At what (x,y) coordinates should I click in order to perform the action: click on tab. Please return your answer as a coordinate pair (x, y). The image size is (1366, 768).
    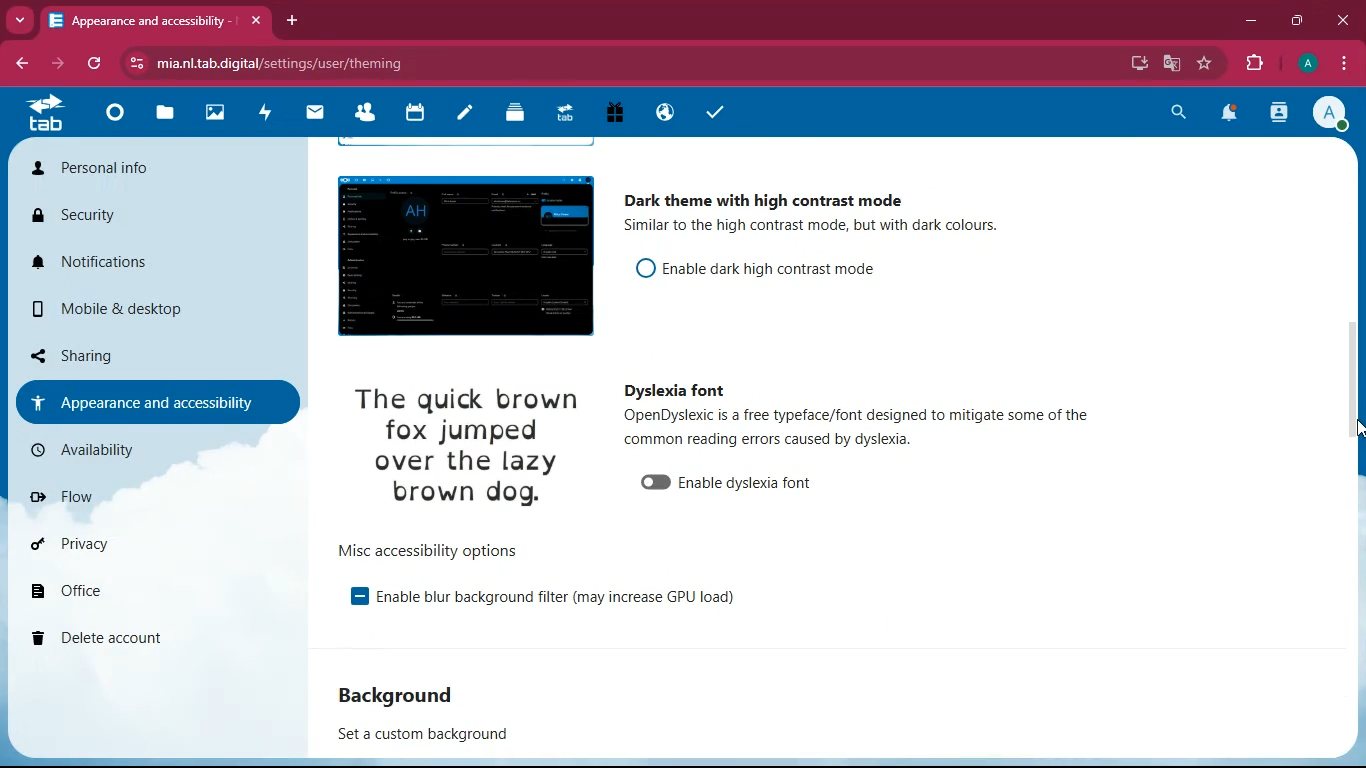
    Looking at the image, I should click on (53, 112).